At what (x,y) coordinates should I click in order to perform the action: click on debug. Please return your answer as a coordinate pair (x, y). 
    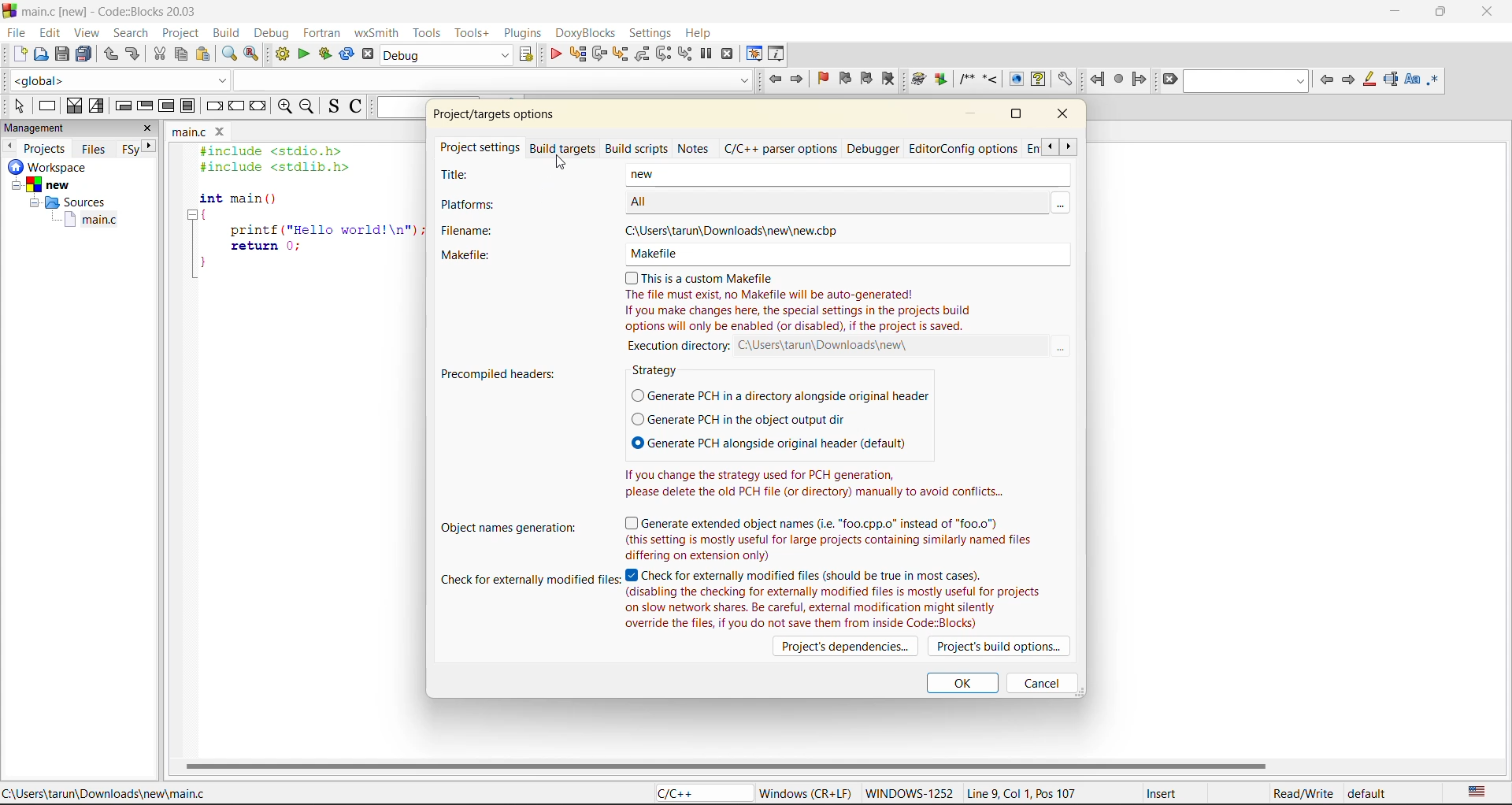
    Looking at the image, I should click on (554, 54).